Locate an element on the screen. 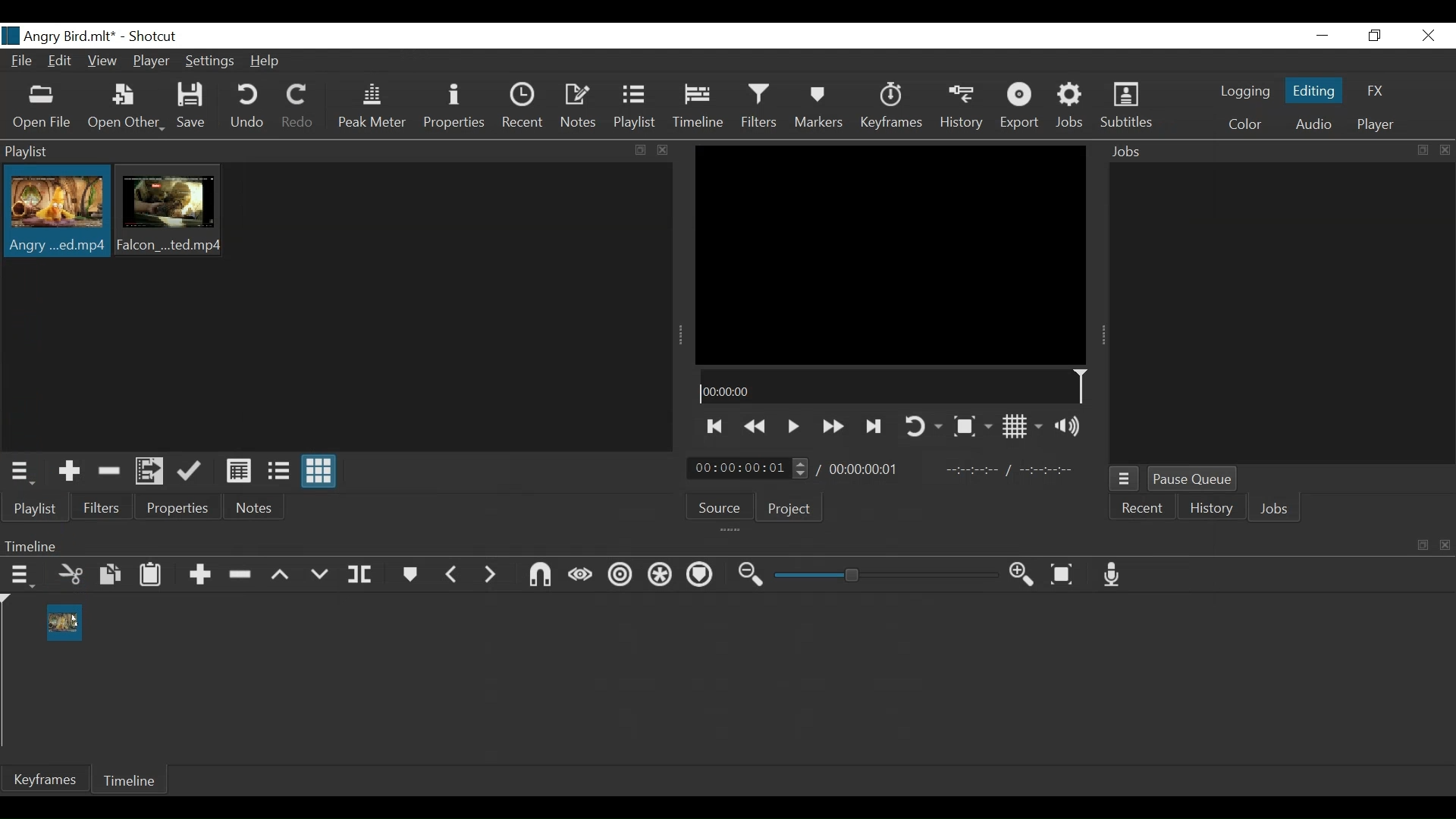  Ripple delete is located at coordinates (242, 576).